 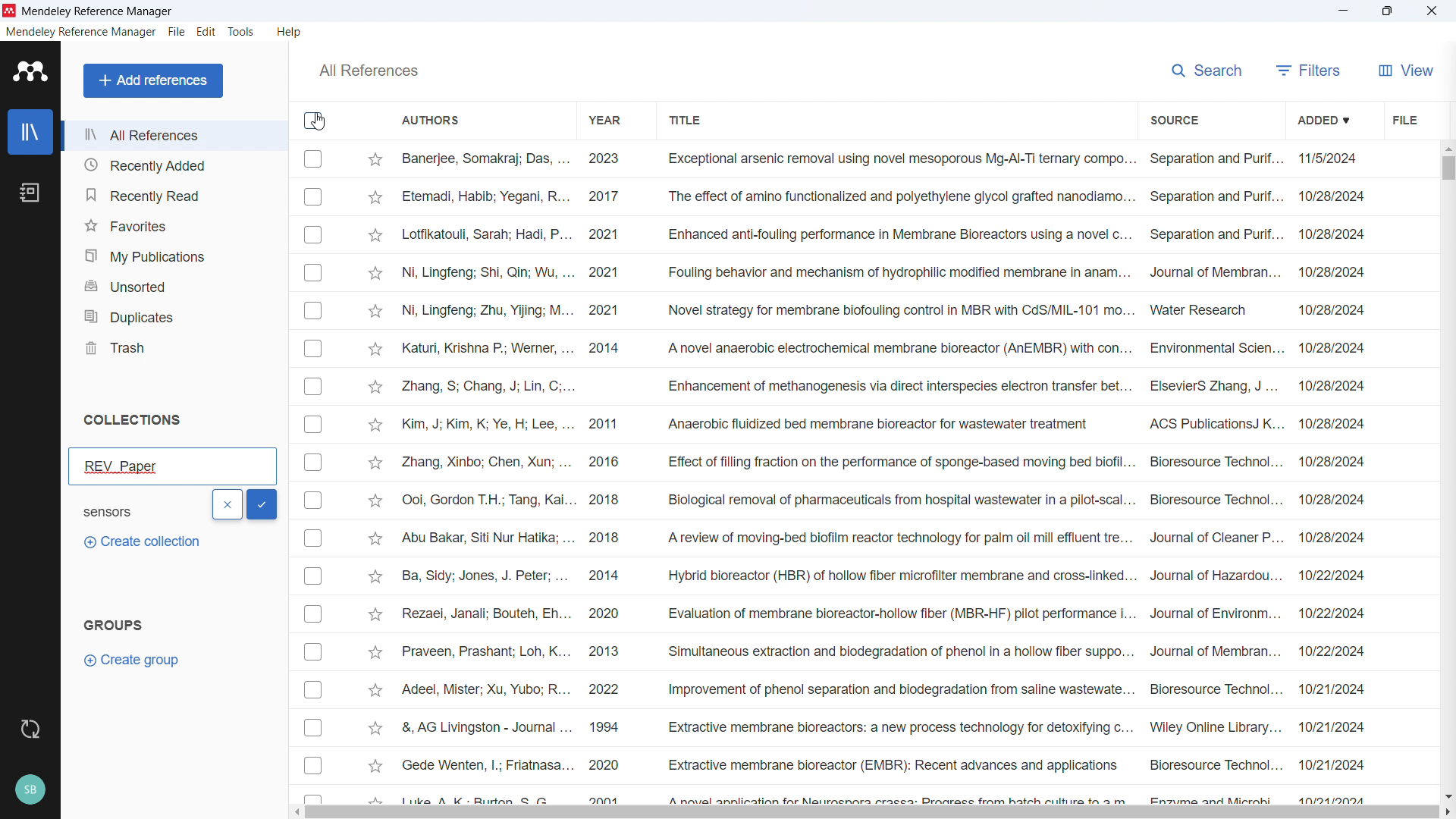 What do you see at coordinates (1447, 813) in the screenshot?
I see `Scroll right ` at bounding box center [1447, 813].